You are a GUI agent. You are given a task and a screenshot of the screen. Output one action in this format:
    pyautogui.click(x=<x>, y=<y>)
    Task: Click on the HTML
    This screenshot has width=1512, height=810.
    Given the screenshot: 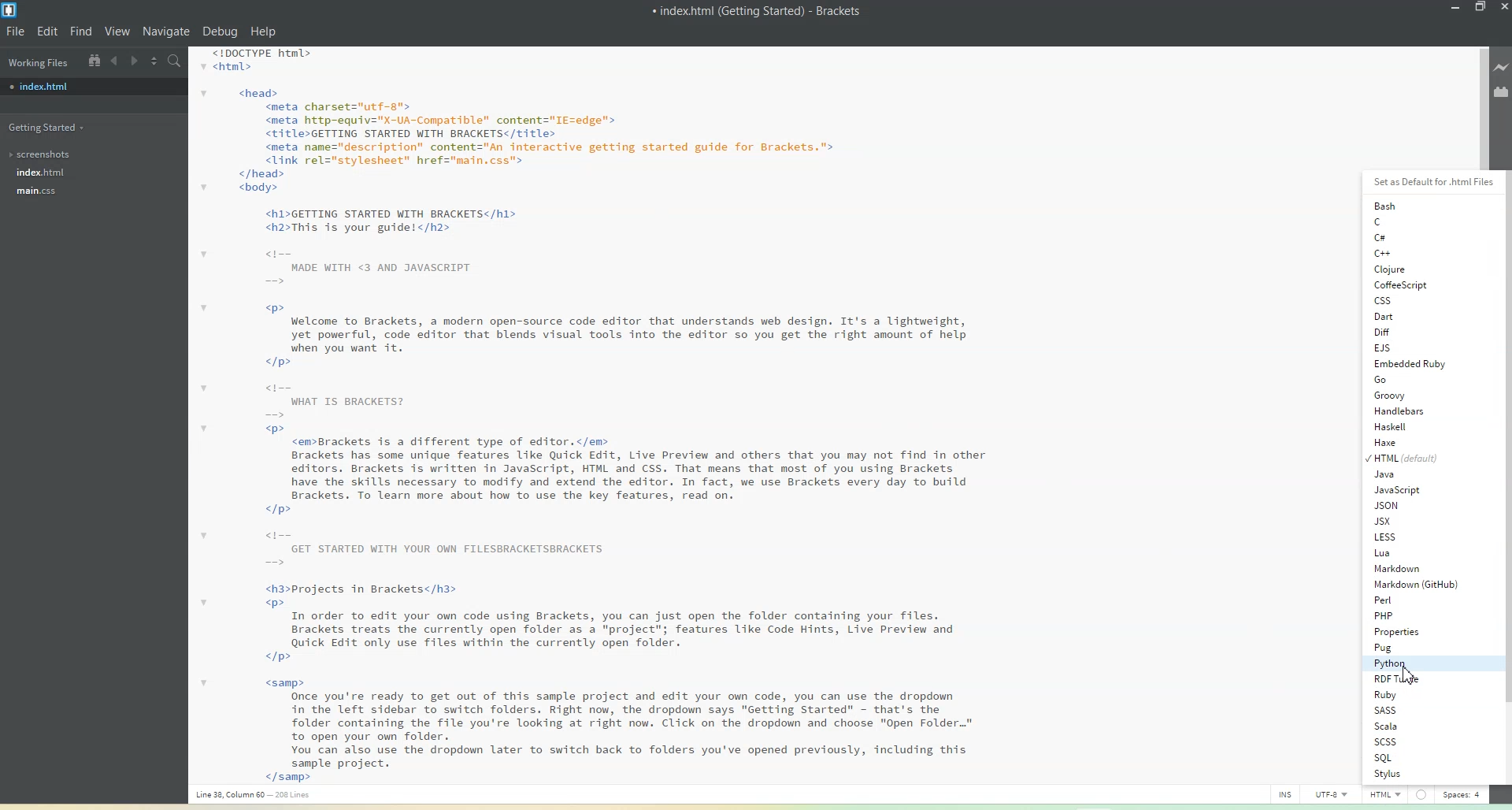 What is the action you would take?
    pyautogui.click(x=1407, y=457)
    